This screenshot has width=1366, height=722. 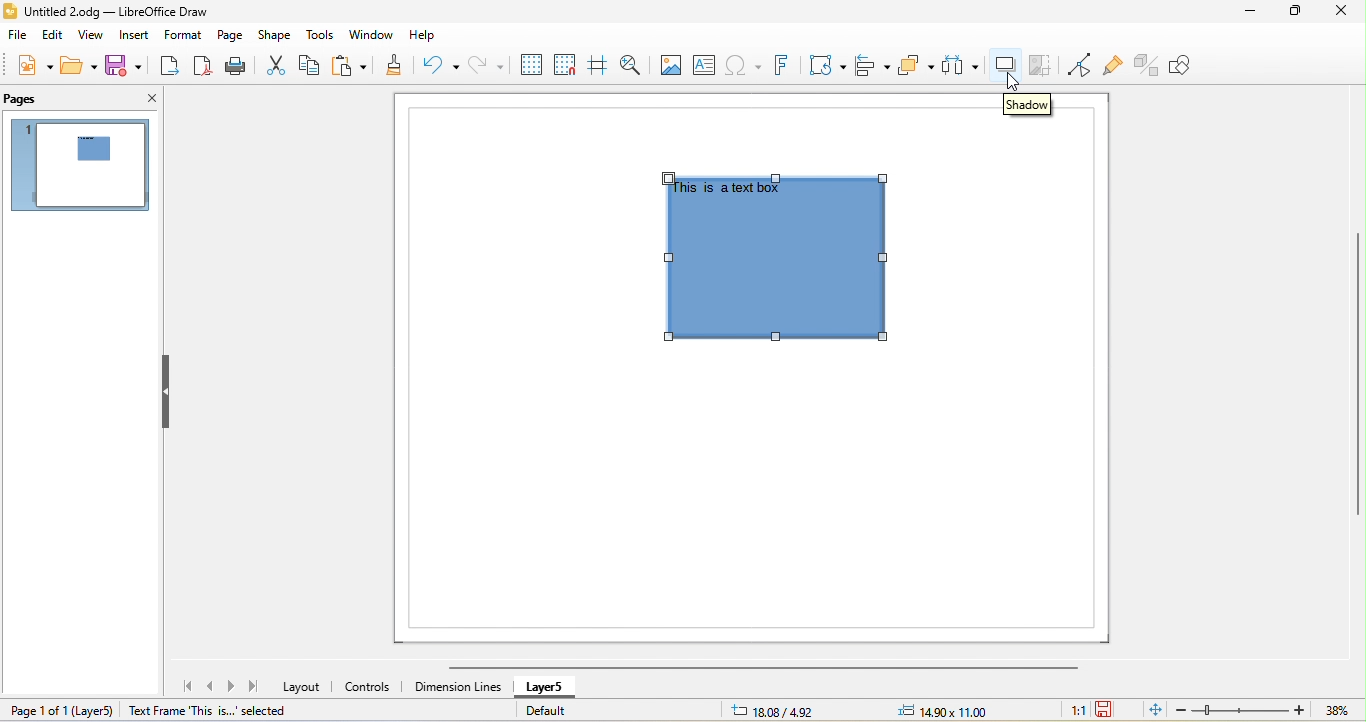 I want to click on page 1 of 1, so click(x=59, y=710).